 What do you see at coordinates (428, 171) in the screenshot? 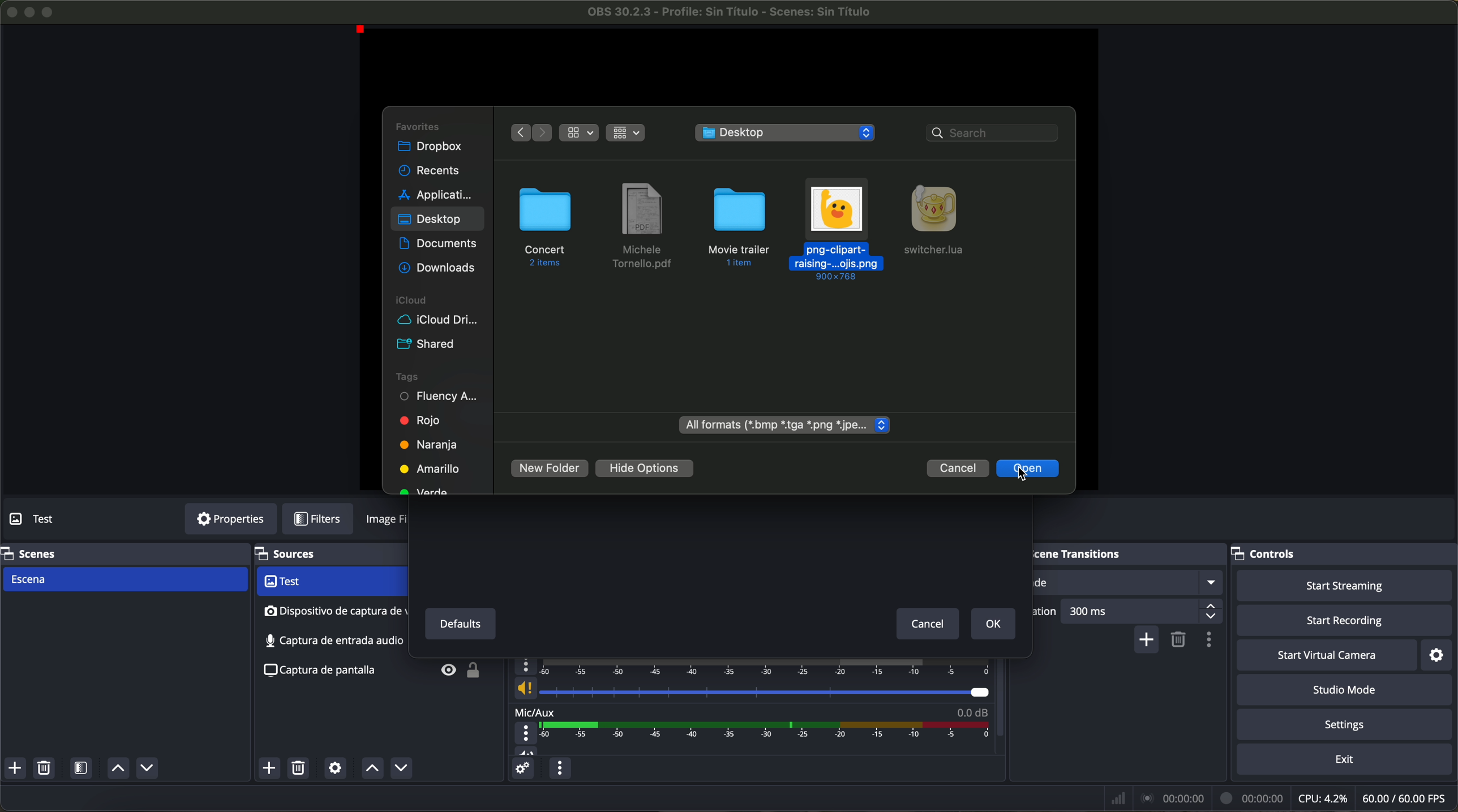
I see `recents` at bounding box center [428, 171].